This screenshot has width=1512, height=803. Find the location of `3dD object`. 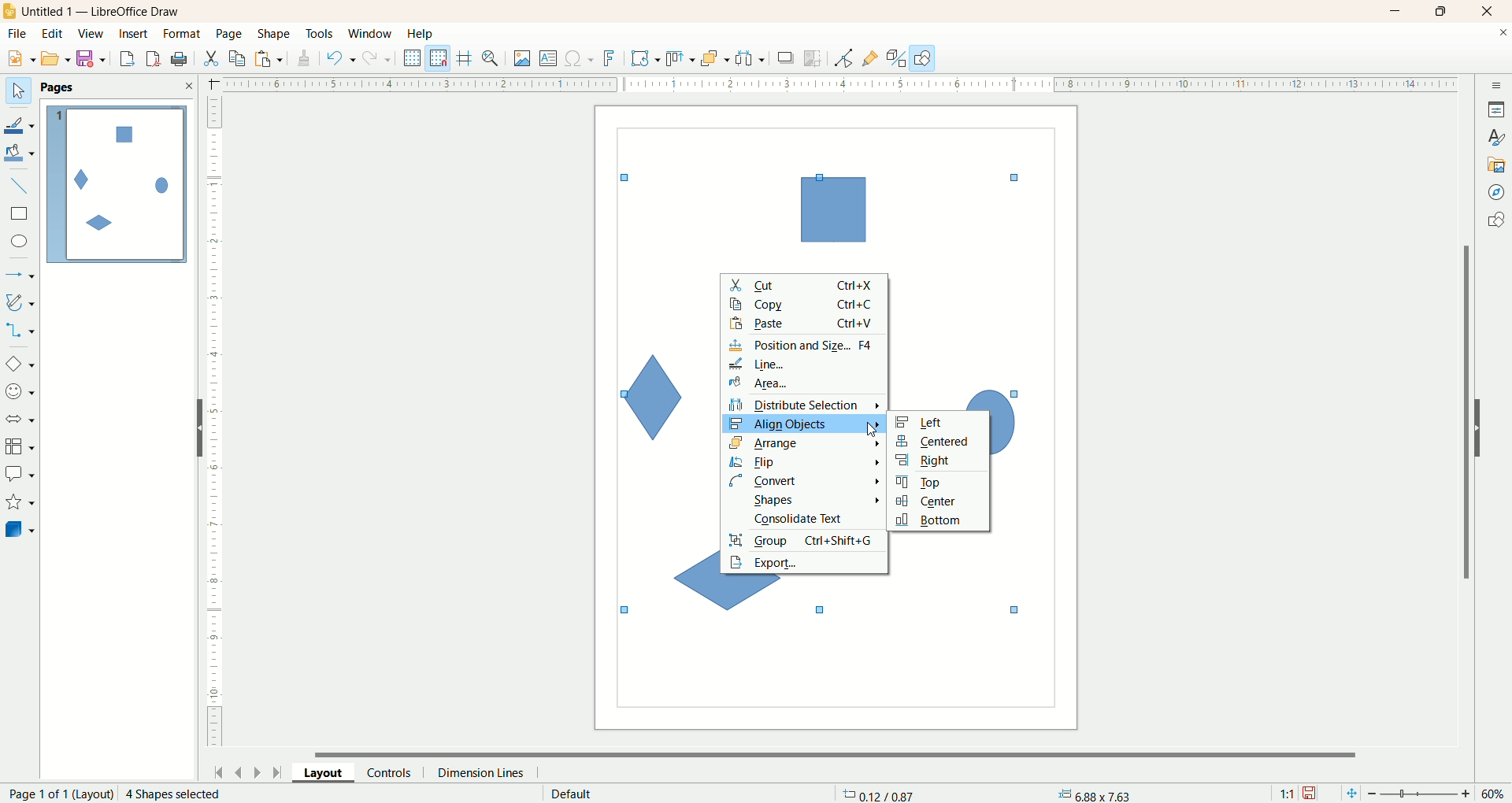

3dD object is located at coordinates (19, 529).